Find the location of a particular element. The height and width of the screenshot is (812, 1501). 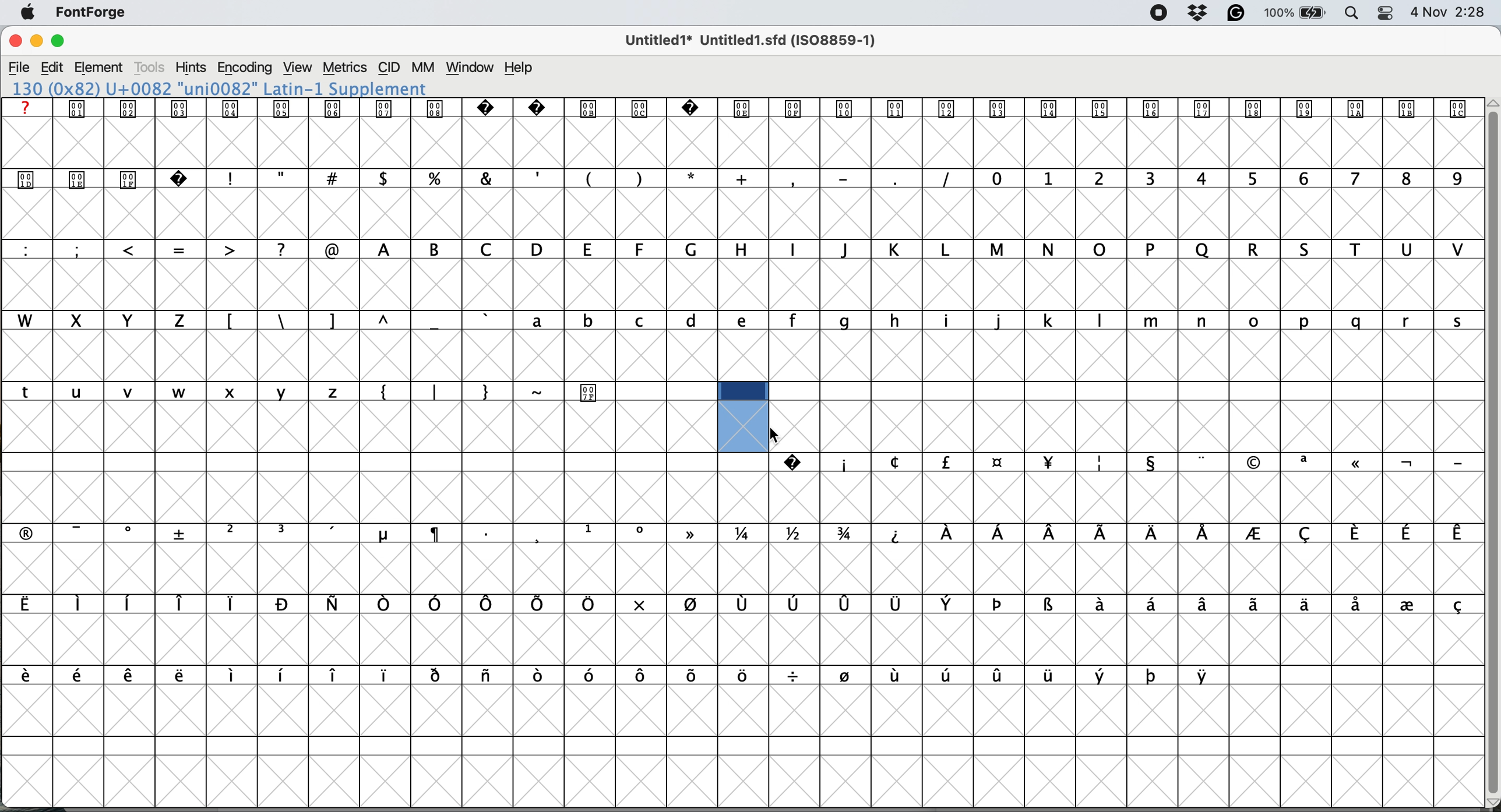

mm is located at coordinates (424, 68).